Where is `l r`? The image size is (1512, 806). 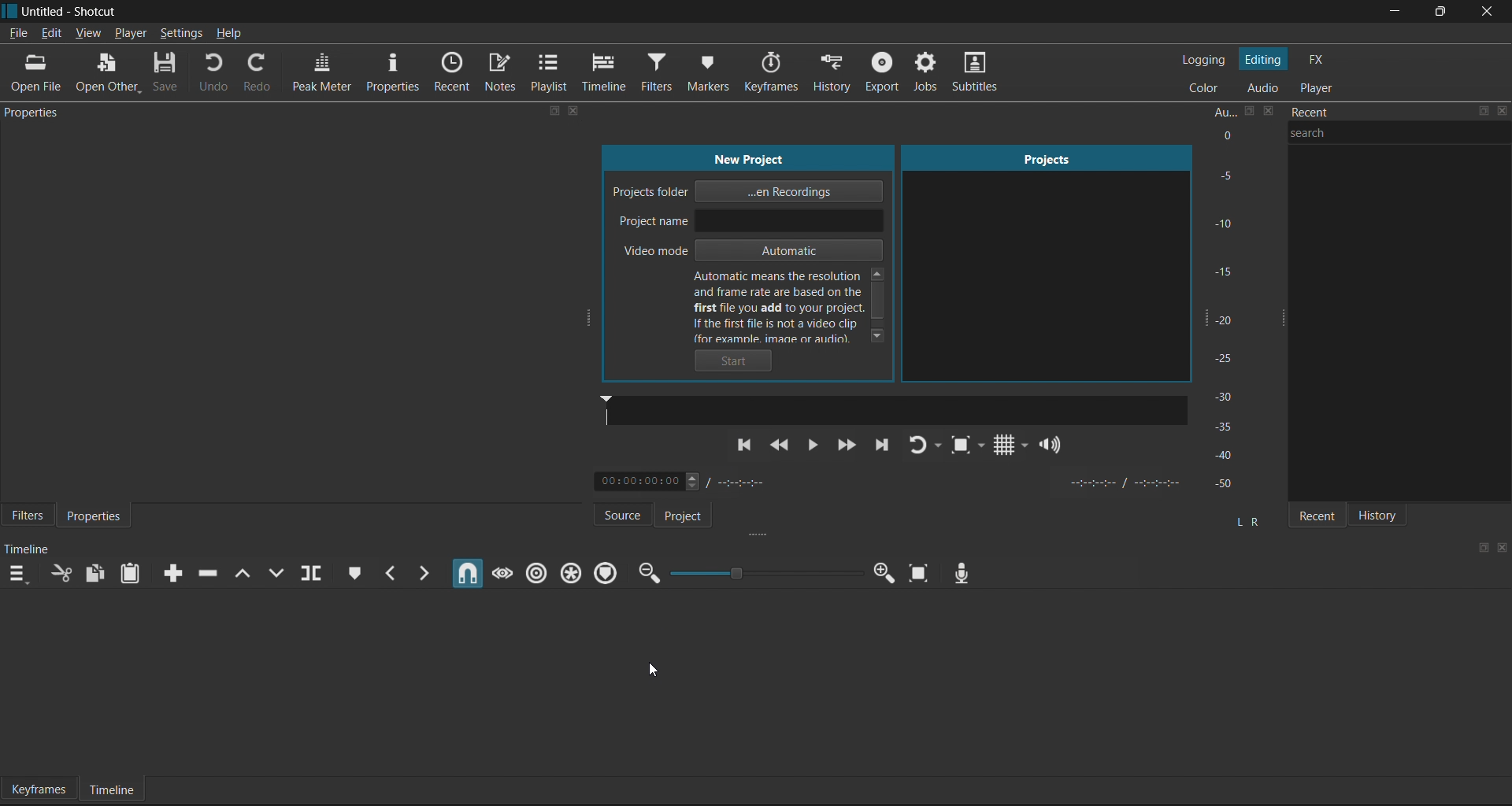 l r is located at coordinates (1245, 516).